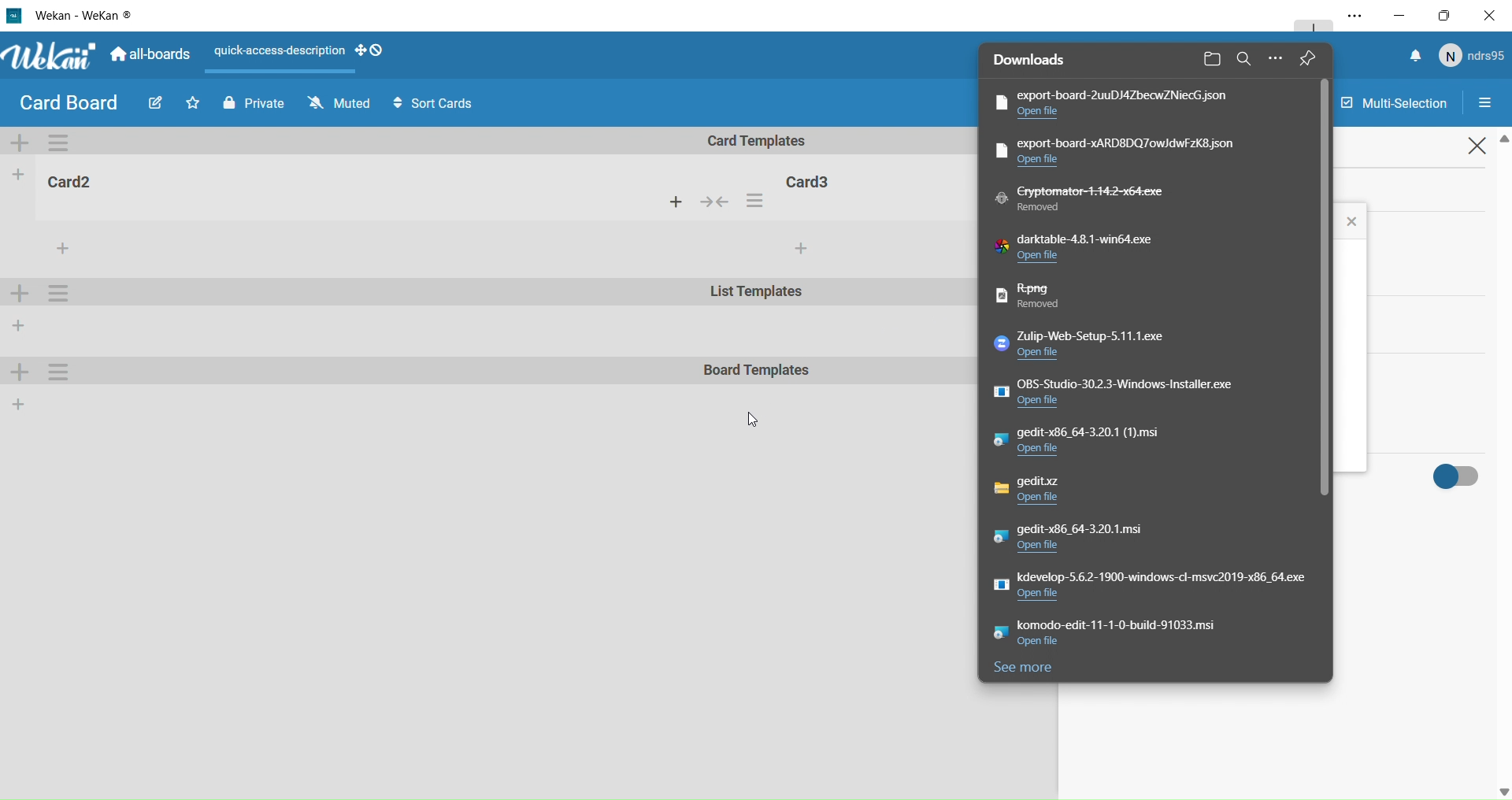 The image size is (1512, 800). What do you see at coordinates (724, 203) in the screenshot?
I see `Actions` at bounding box center [724, 203].